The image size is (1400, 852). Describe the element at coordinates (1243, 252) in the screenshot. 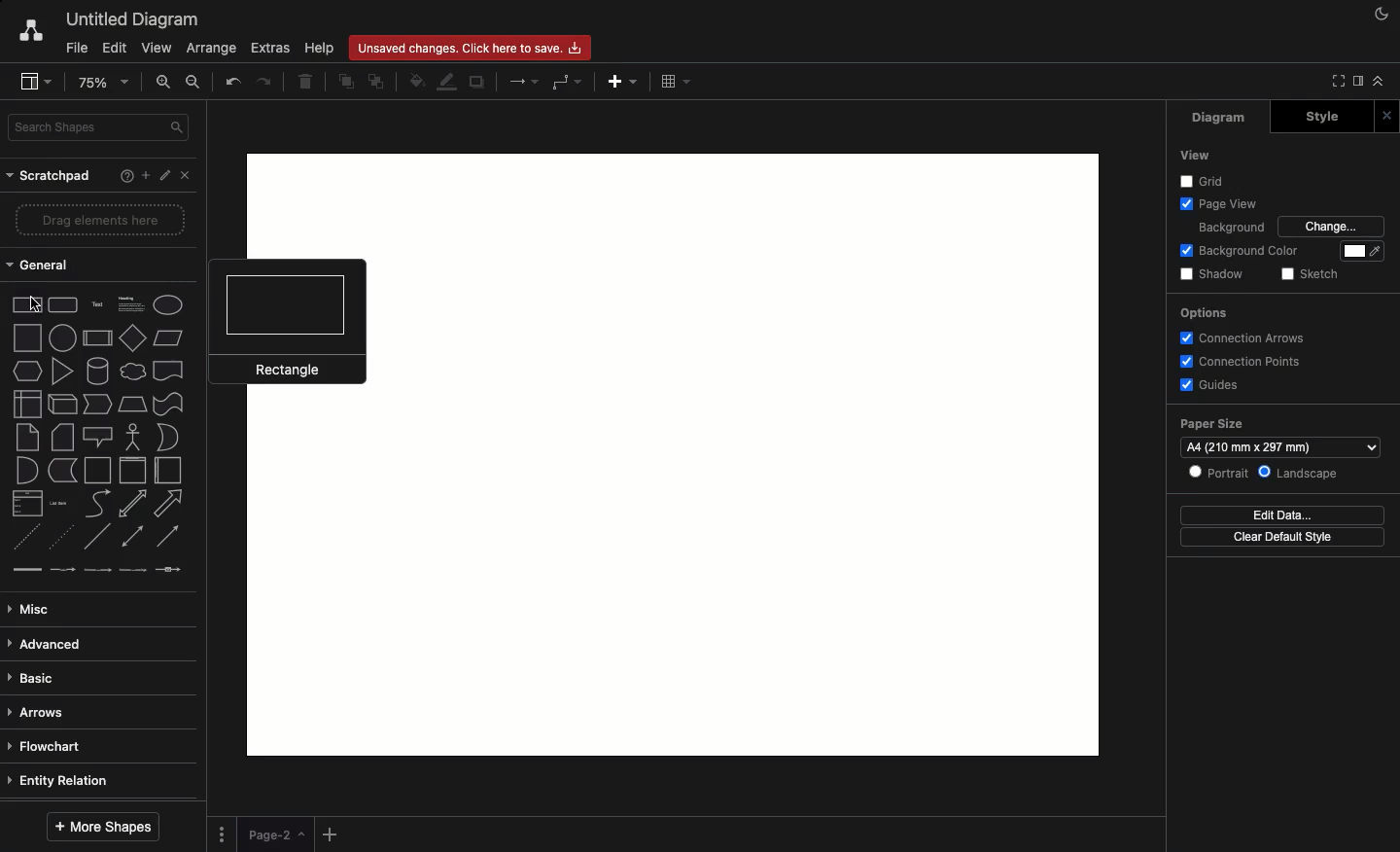

I see `Background color` at that location.